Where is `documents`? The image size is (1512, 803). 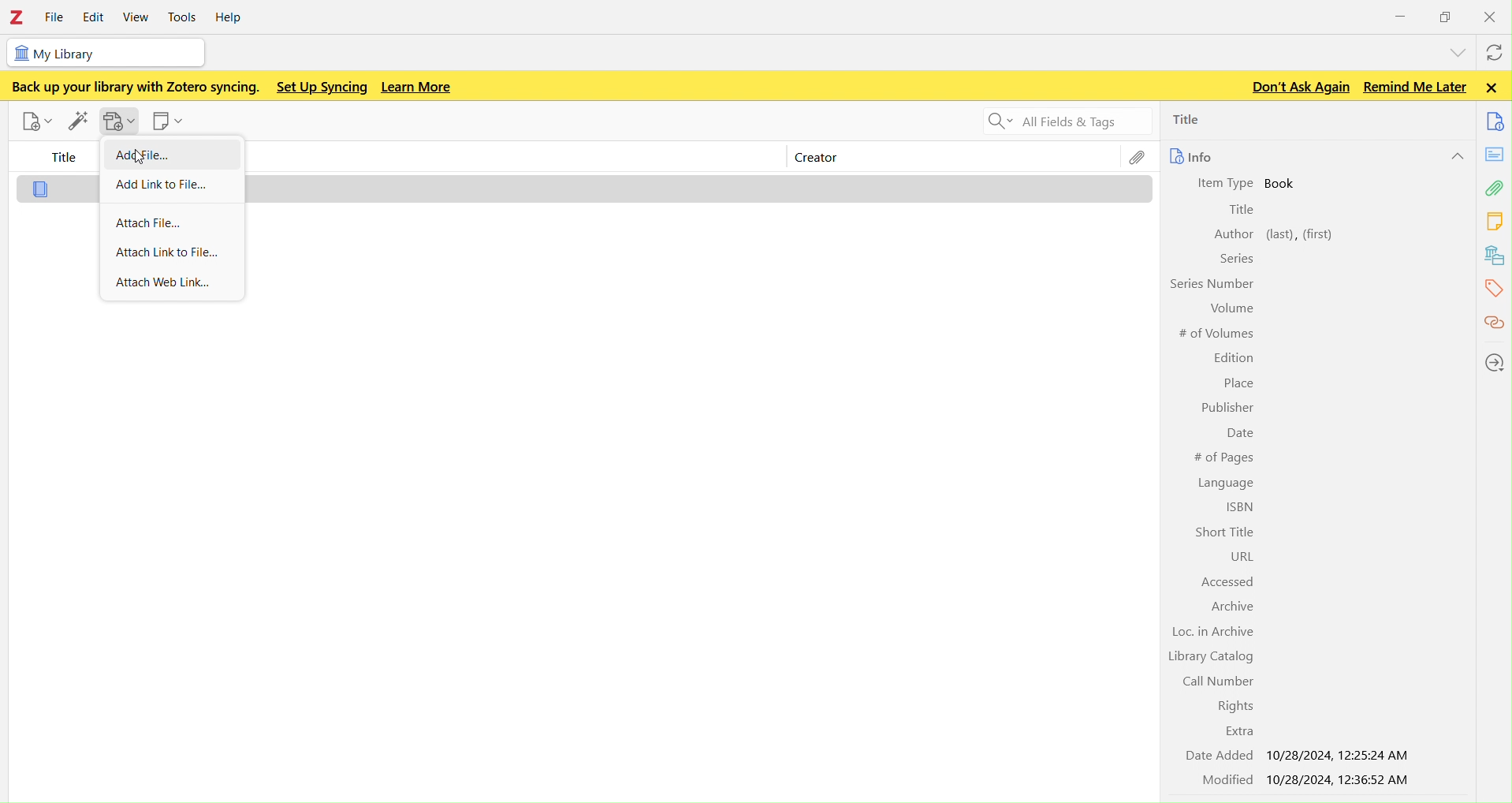 documents is located at coordinates (1497, 121).